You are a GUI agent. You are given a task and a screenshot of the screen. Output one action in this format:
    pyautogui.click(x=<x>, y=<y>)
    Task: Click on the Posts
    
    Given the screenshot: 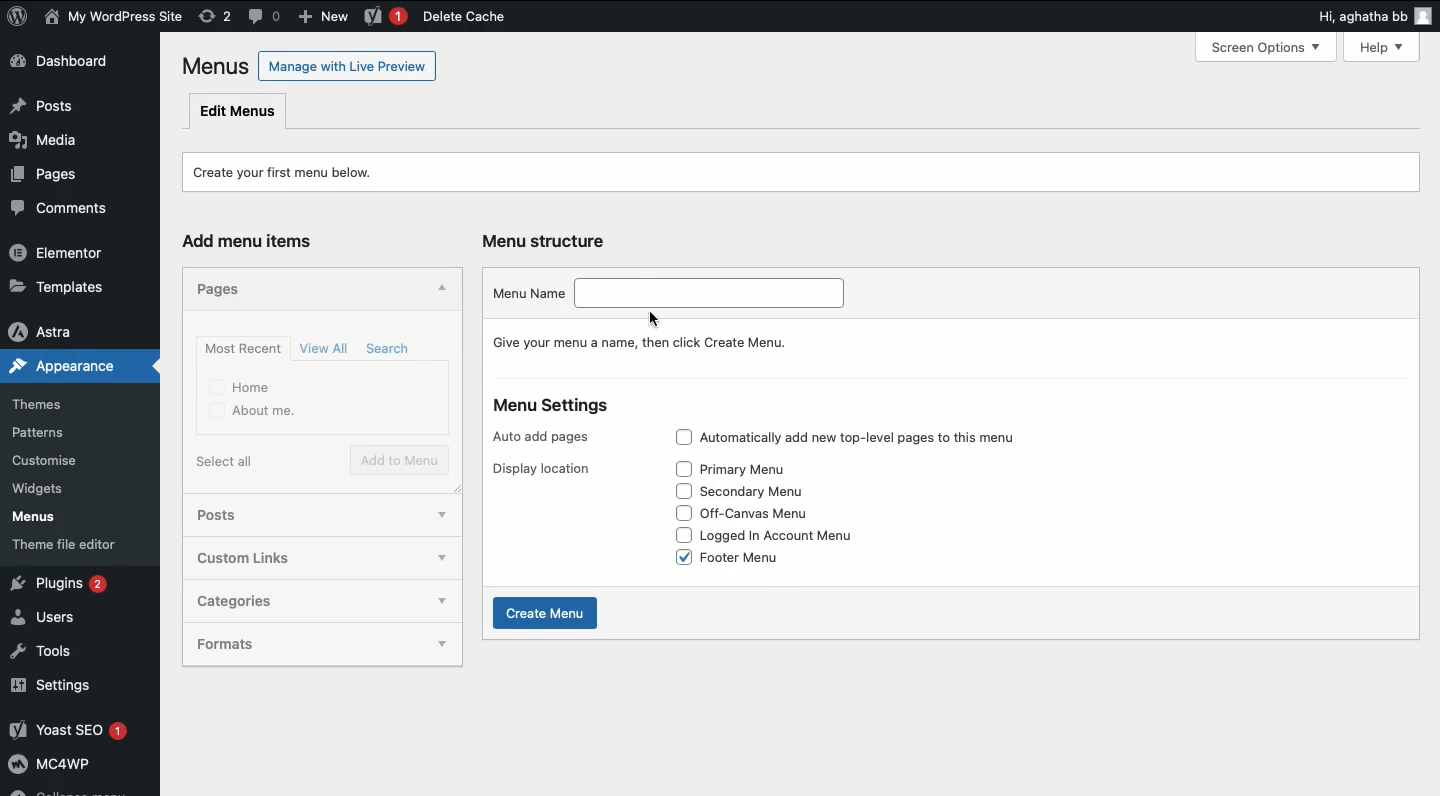 What is the action you would take?
    pyautogui.click(x=74, y=107)
    